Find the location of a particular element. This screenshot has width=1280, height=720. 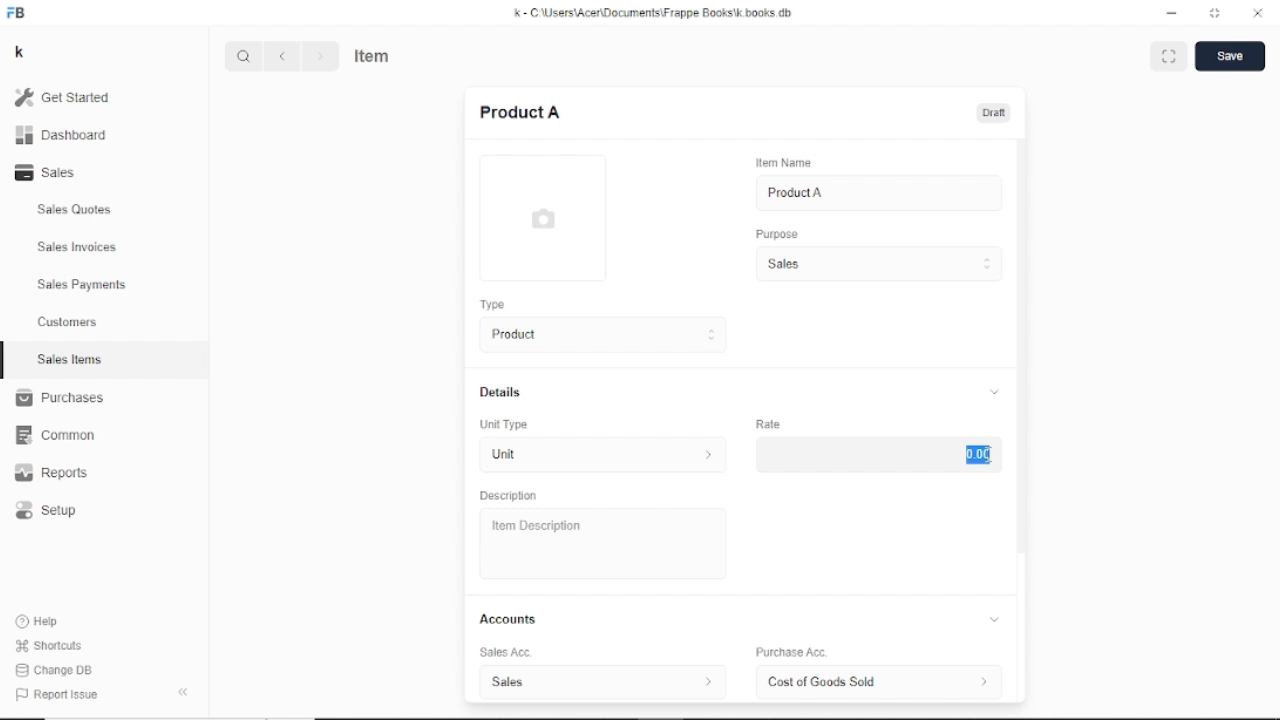

Customers is located at coordinates (69, 321).